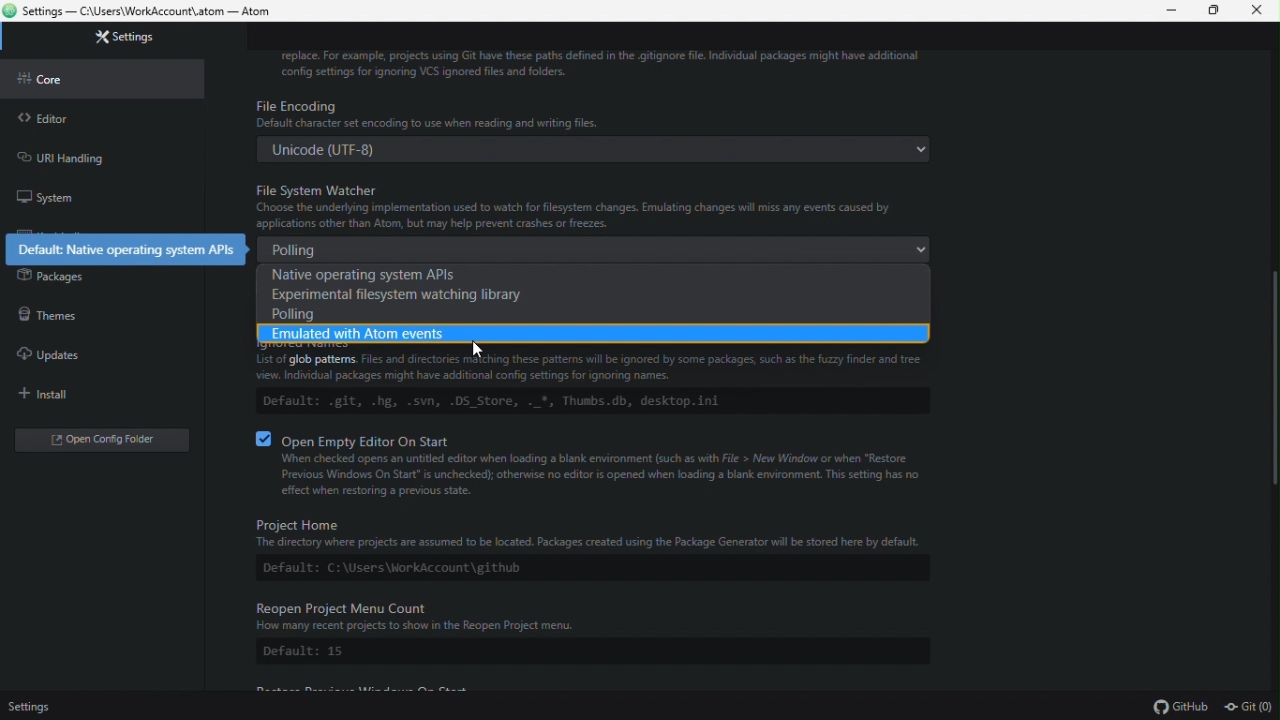 Image resolution: width=1280 pixels, height=720 pixels. Describe the element at coordinates (102, 440) in the screenshot. I see `open Config editor` at that location.